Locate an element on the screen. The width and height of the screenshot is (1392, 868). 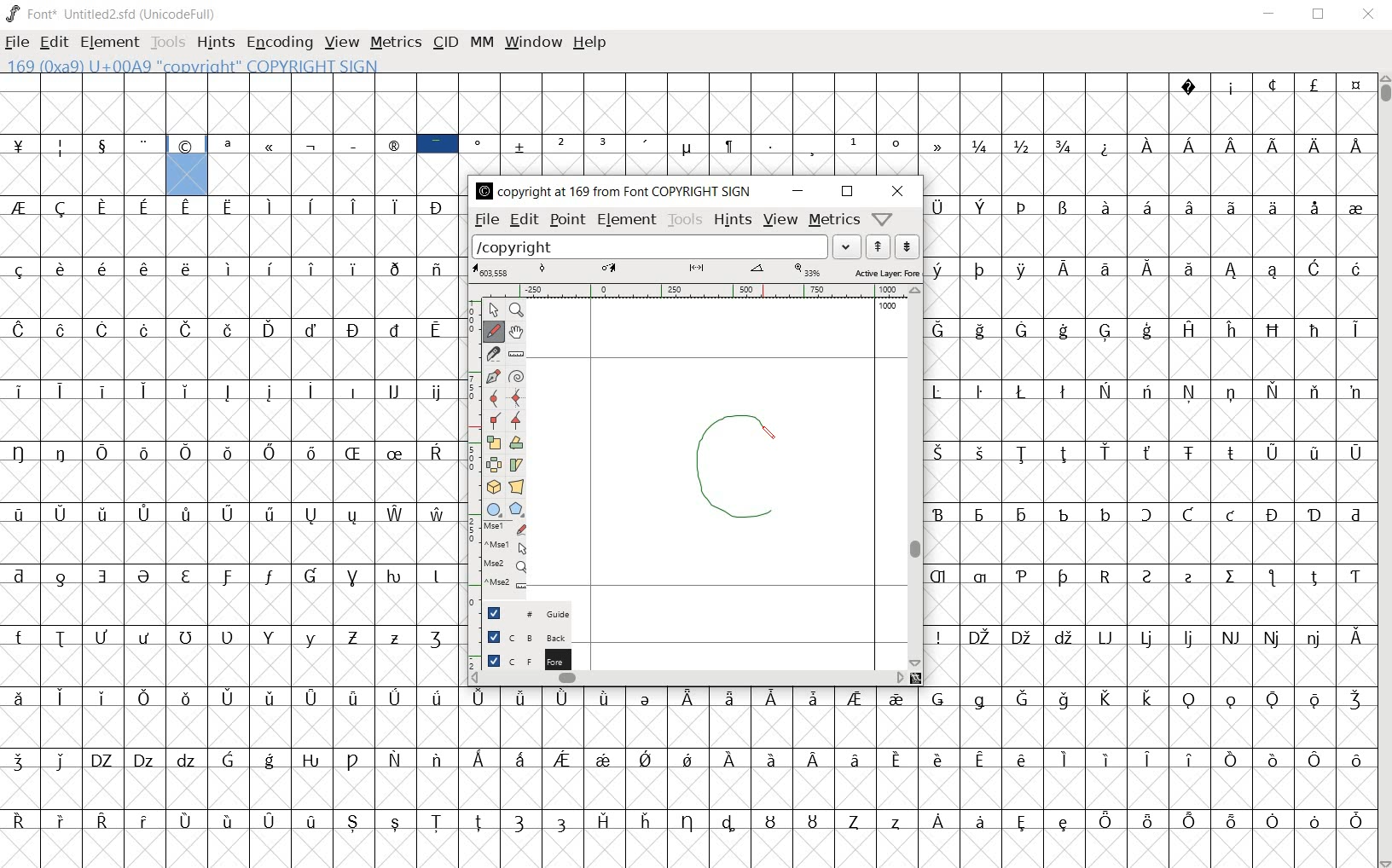
close is located at coordinates (1369, 14).